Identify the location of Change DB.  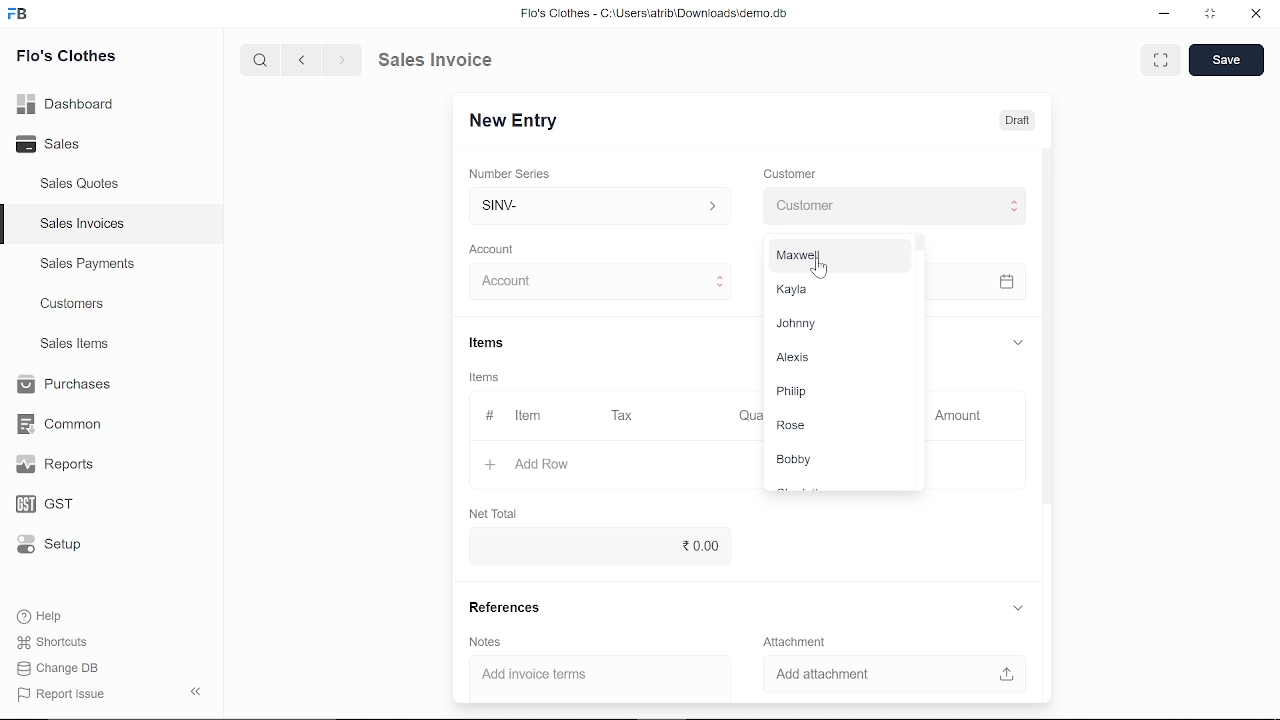
(64, 668).